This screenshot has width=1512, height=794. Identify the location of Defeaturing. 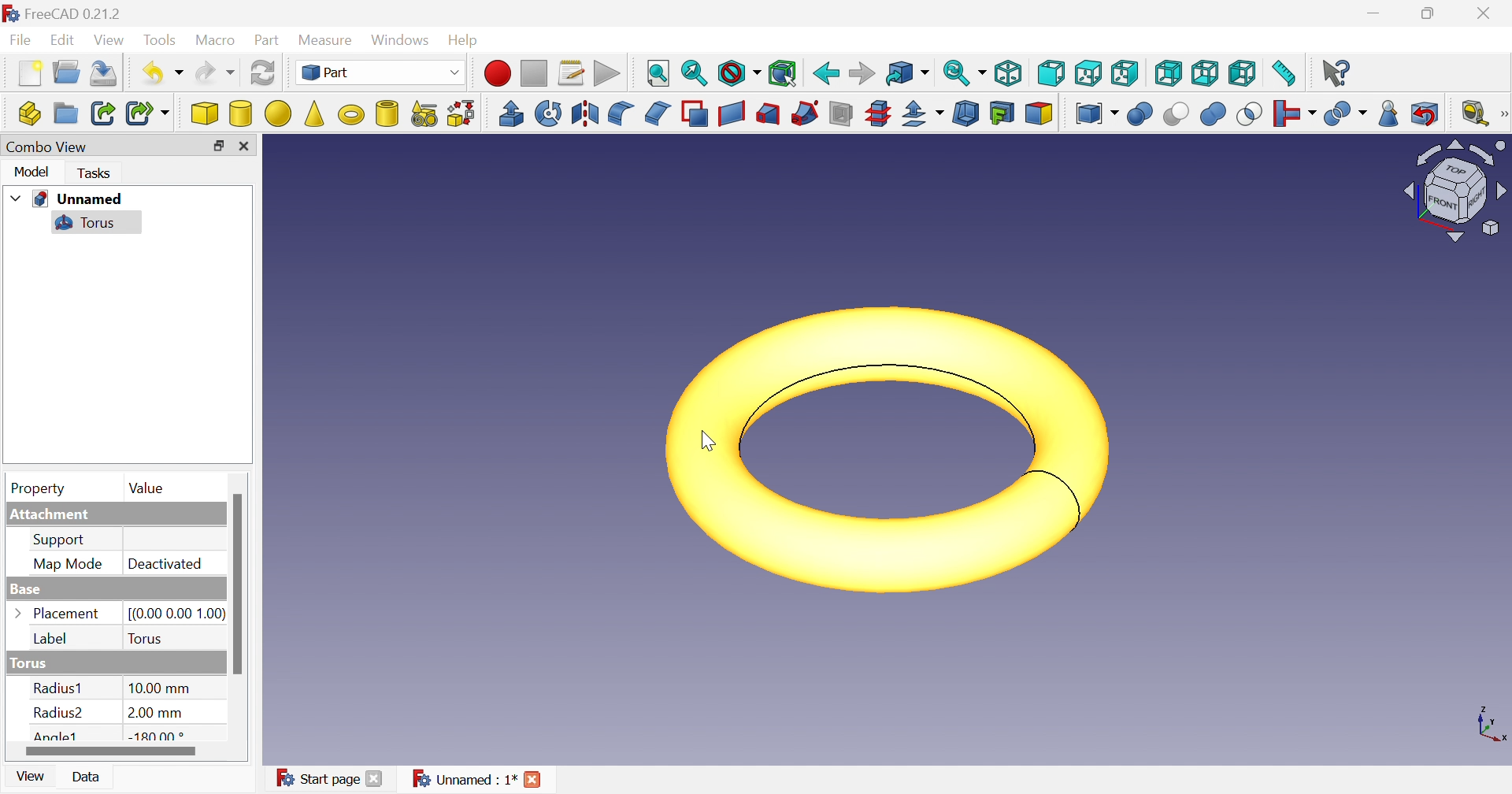
(1425, 113).